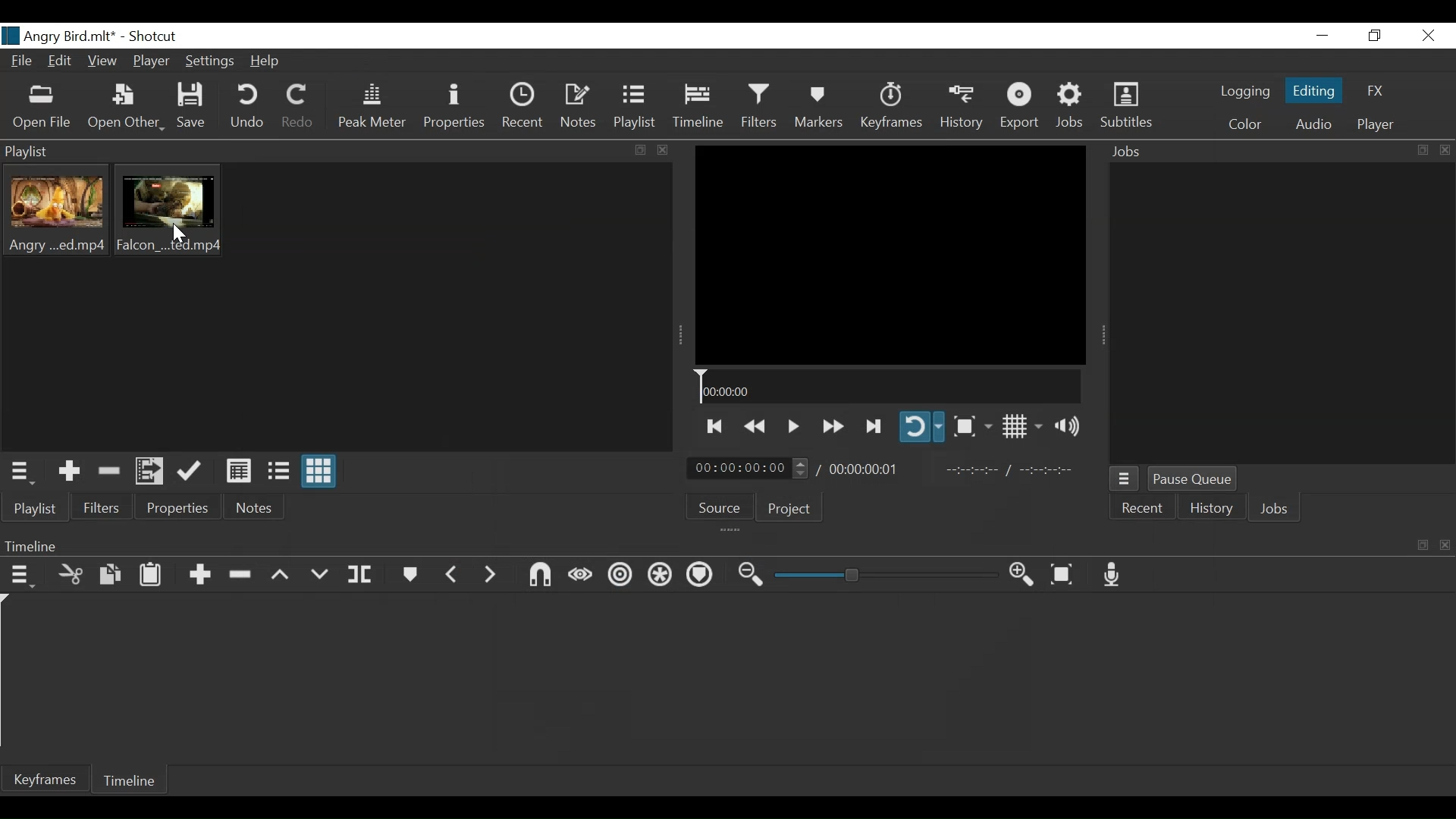 The width and height of the screenshot is (1456, 819). What do you see at coordinates (99, 507) in the screenshot?
I see `Filters` at bounding box center [99, 507].